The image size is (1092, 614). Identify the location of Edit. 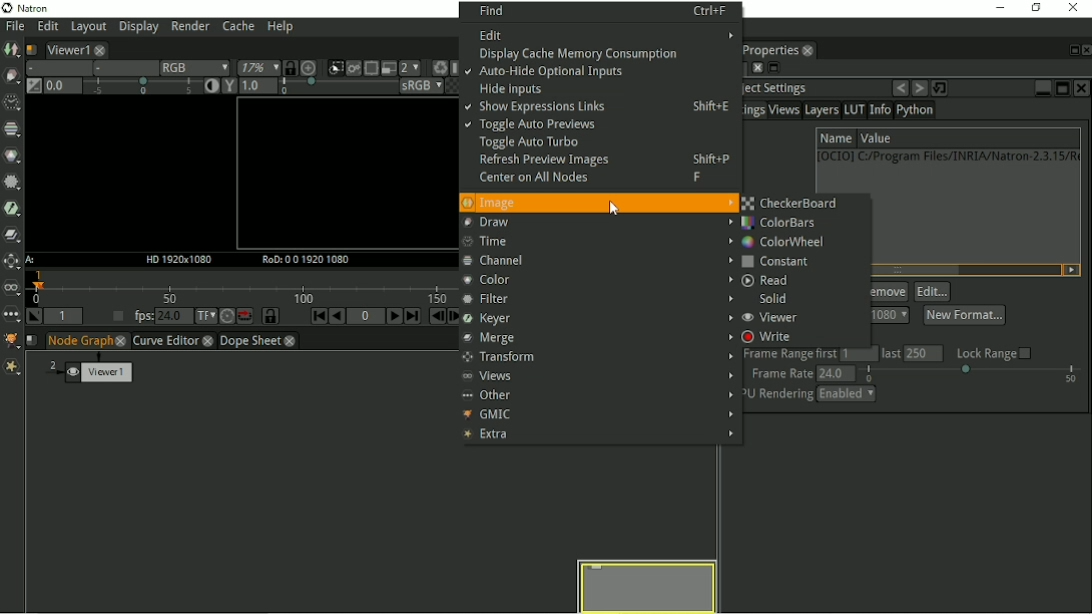
(933, 292).